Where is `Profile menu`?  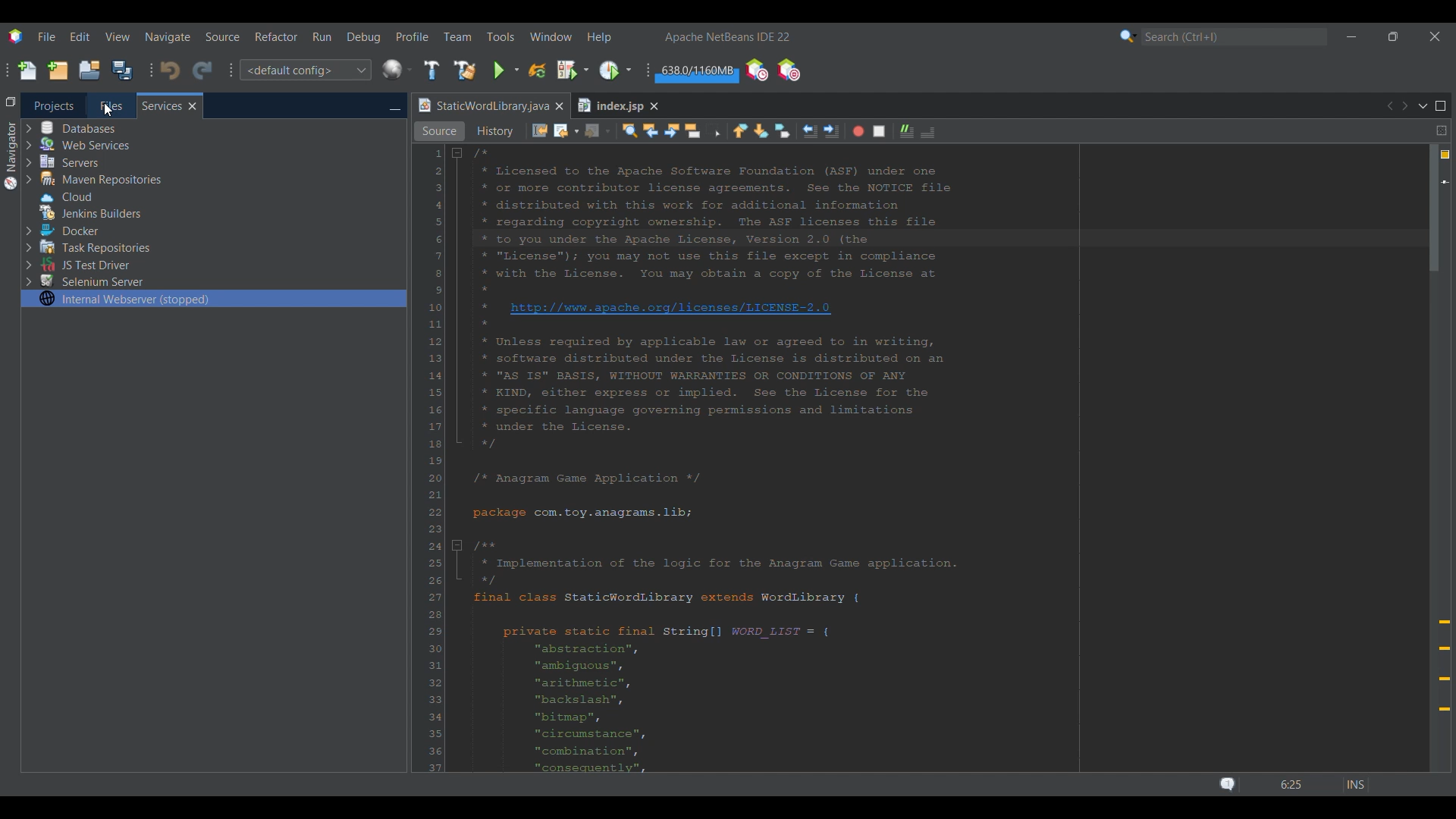 Profile menu is located at coordinates (413, 36).